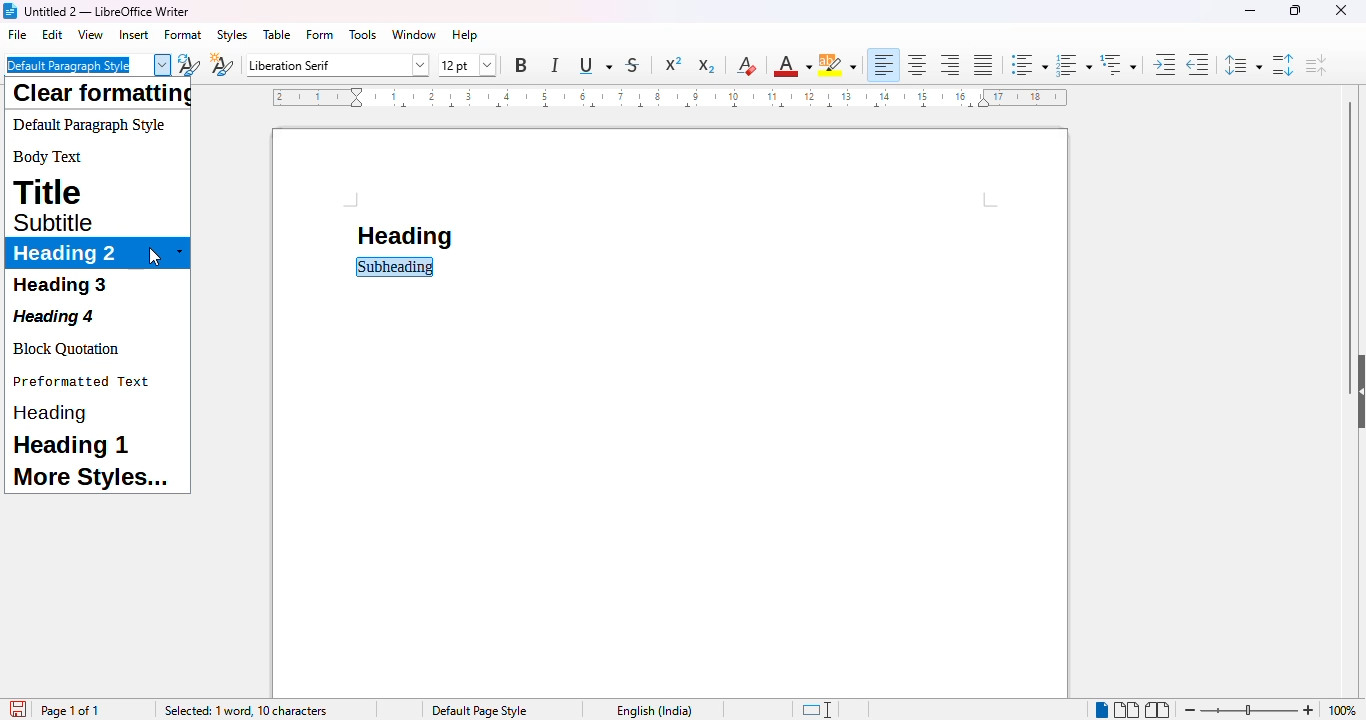  Describe the element at coordinates (521, 65) in the screenshot. I see `bold` at that location.